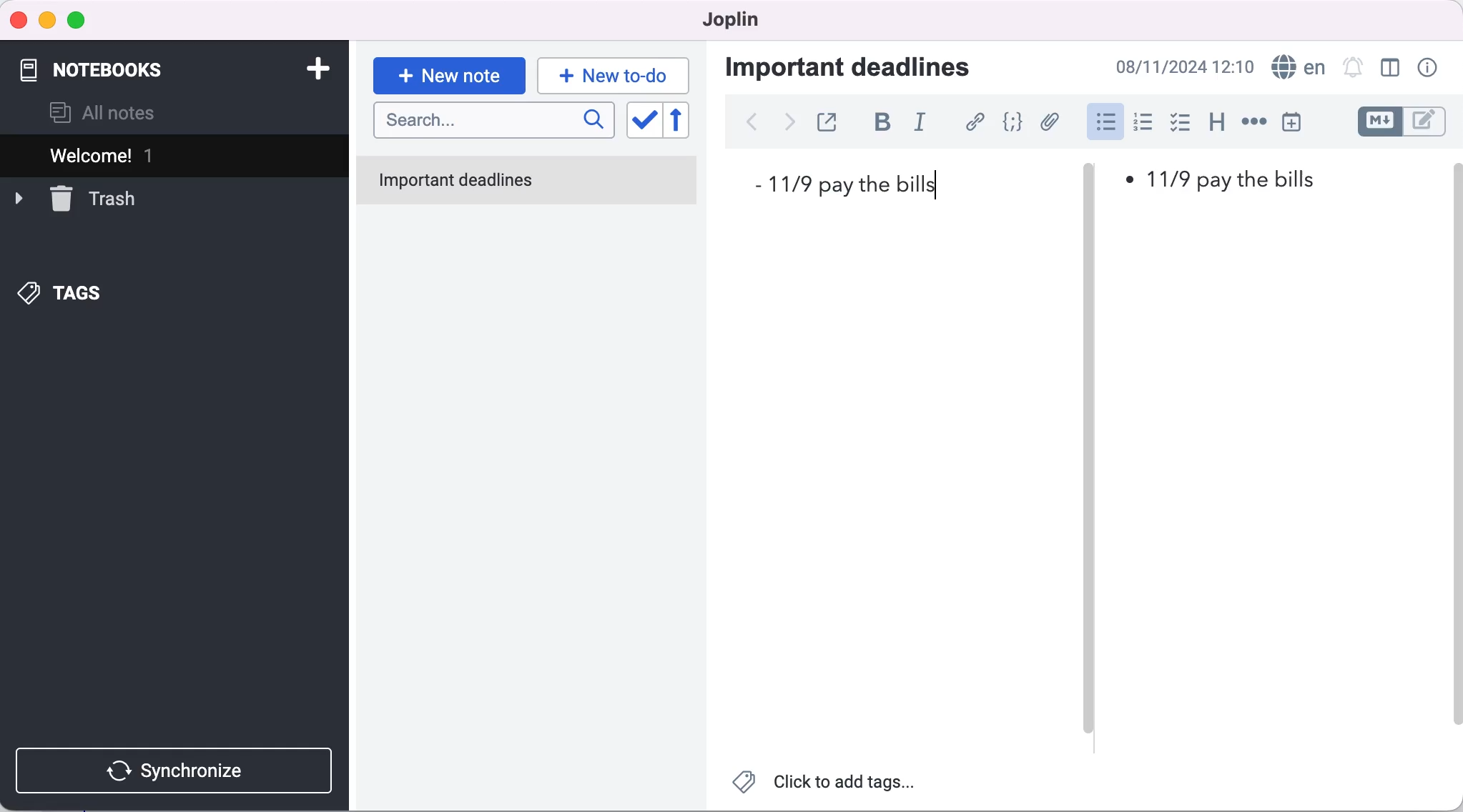 This screenshot has width=1463, height=812. I want to click on attach file, so click(1049, 122).